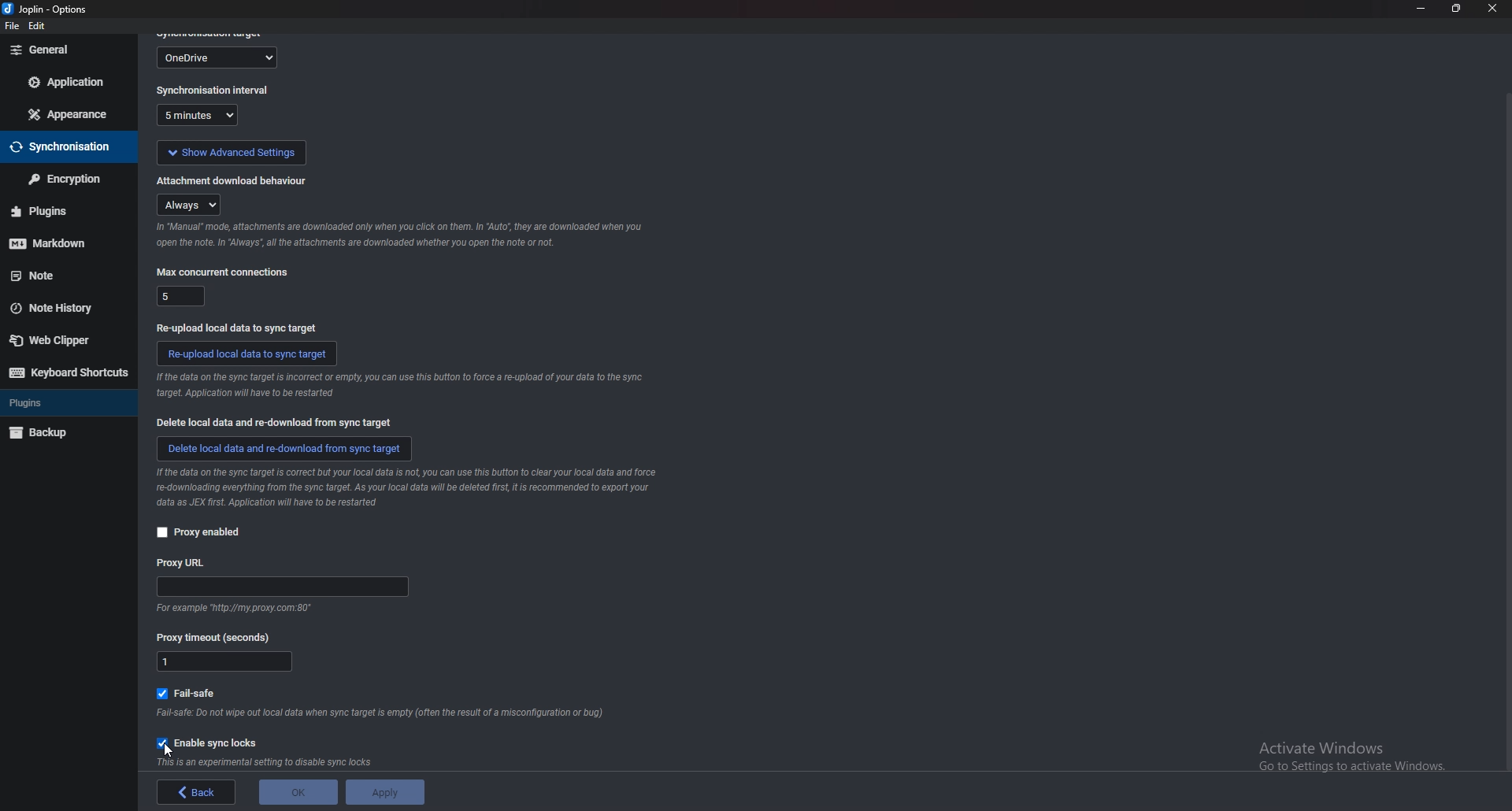  I want to click on web clipper, so click(62, 342).